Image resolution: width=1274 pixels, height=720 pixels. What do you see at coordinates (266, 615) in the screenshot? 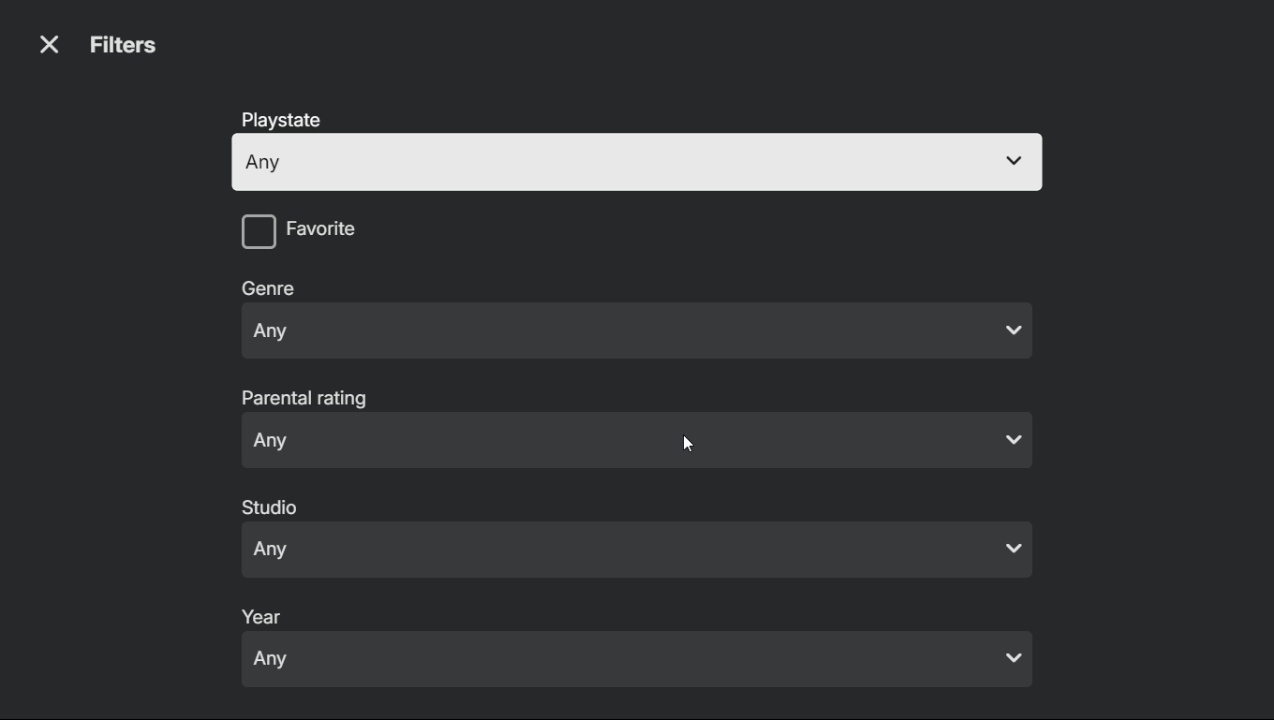
I see `year` at bounding box center [266, 615].